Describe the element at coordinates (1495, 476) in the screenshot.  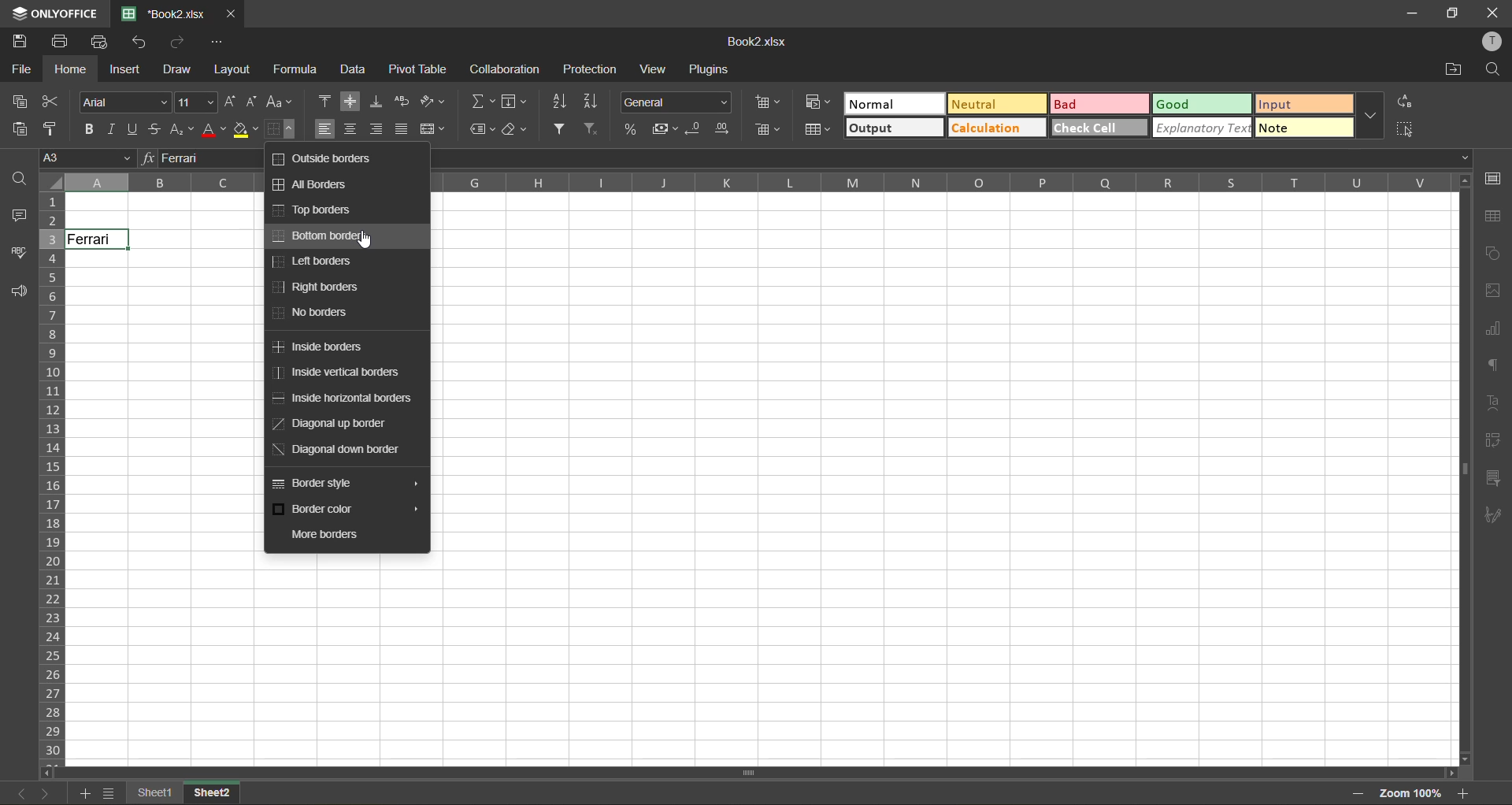
I see `slicer` at that location.